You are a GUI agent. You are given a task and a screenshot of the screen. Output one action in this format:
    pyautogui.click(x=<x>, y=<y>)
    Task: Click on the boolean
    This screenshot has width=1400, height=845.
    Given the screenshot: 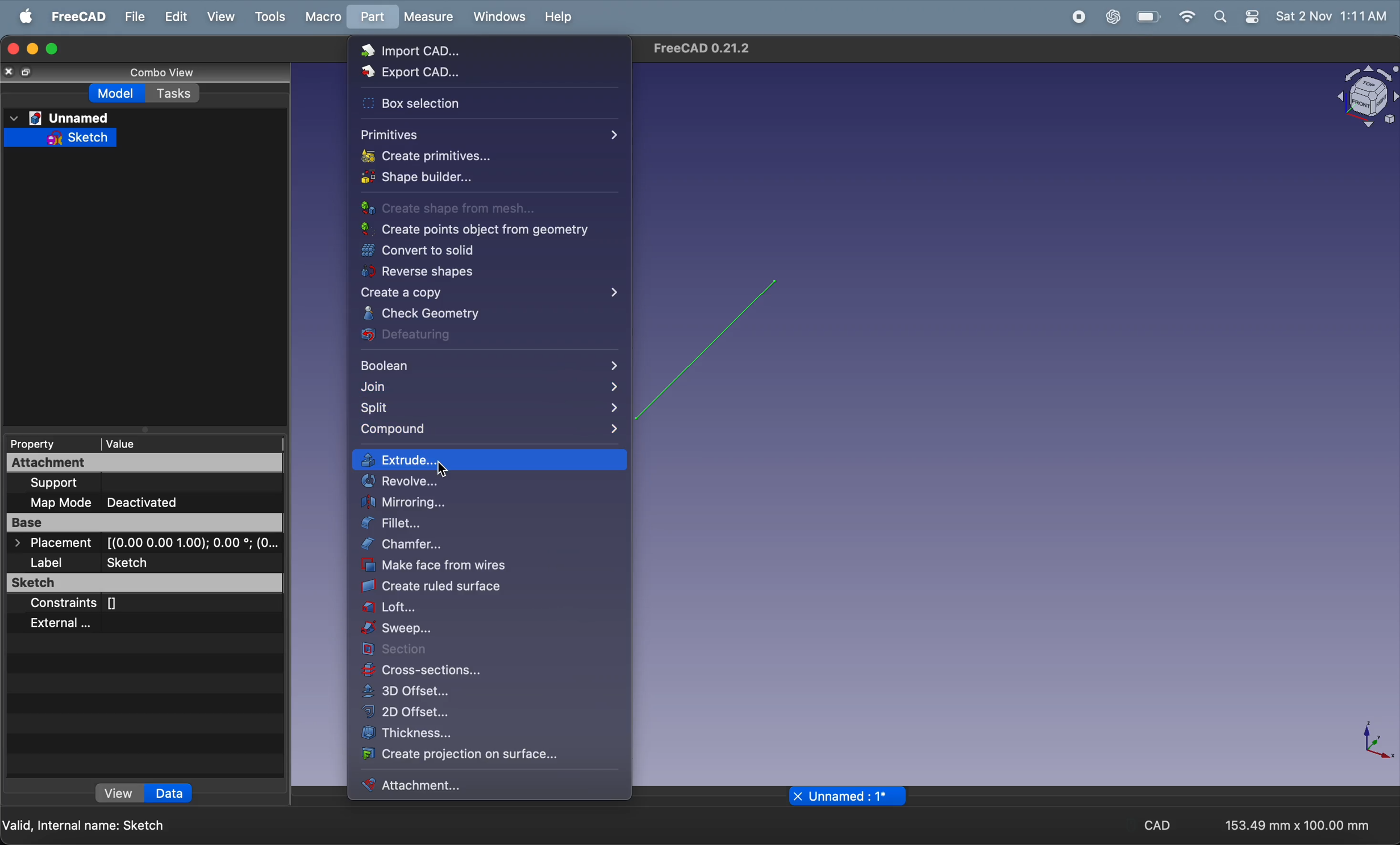 What is the action you would take?
    pyautogui.click(x=489, y=367)
    